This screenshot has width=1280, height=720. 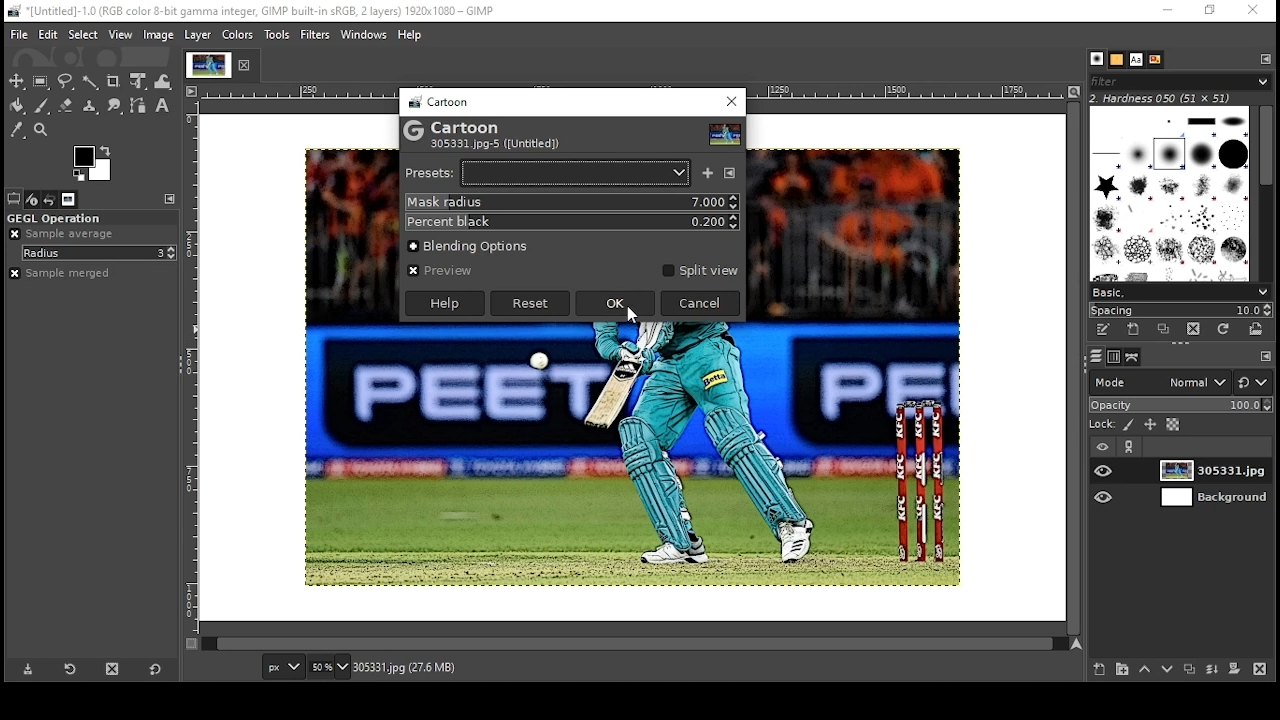 What do you see at coordinates (1217, 473) in the screenshot?
I see `layer 1` at bounding box center [1217, 473].